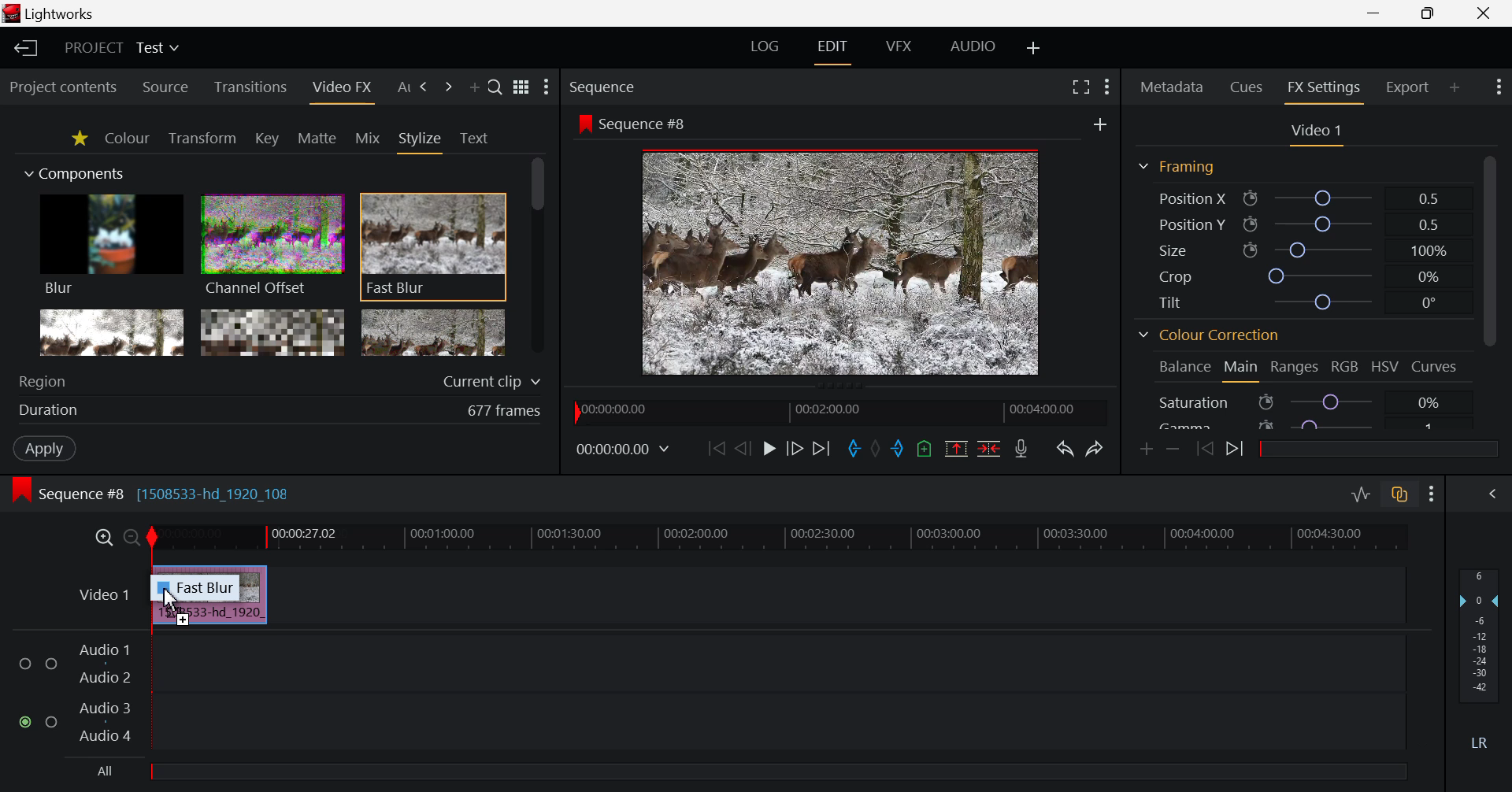  I want to click on Add Layout, so click(1035, 50).